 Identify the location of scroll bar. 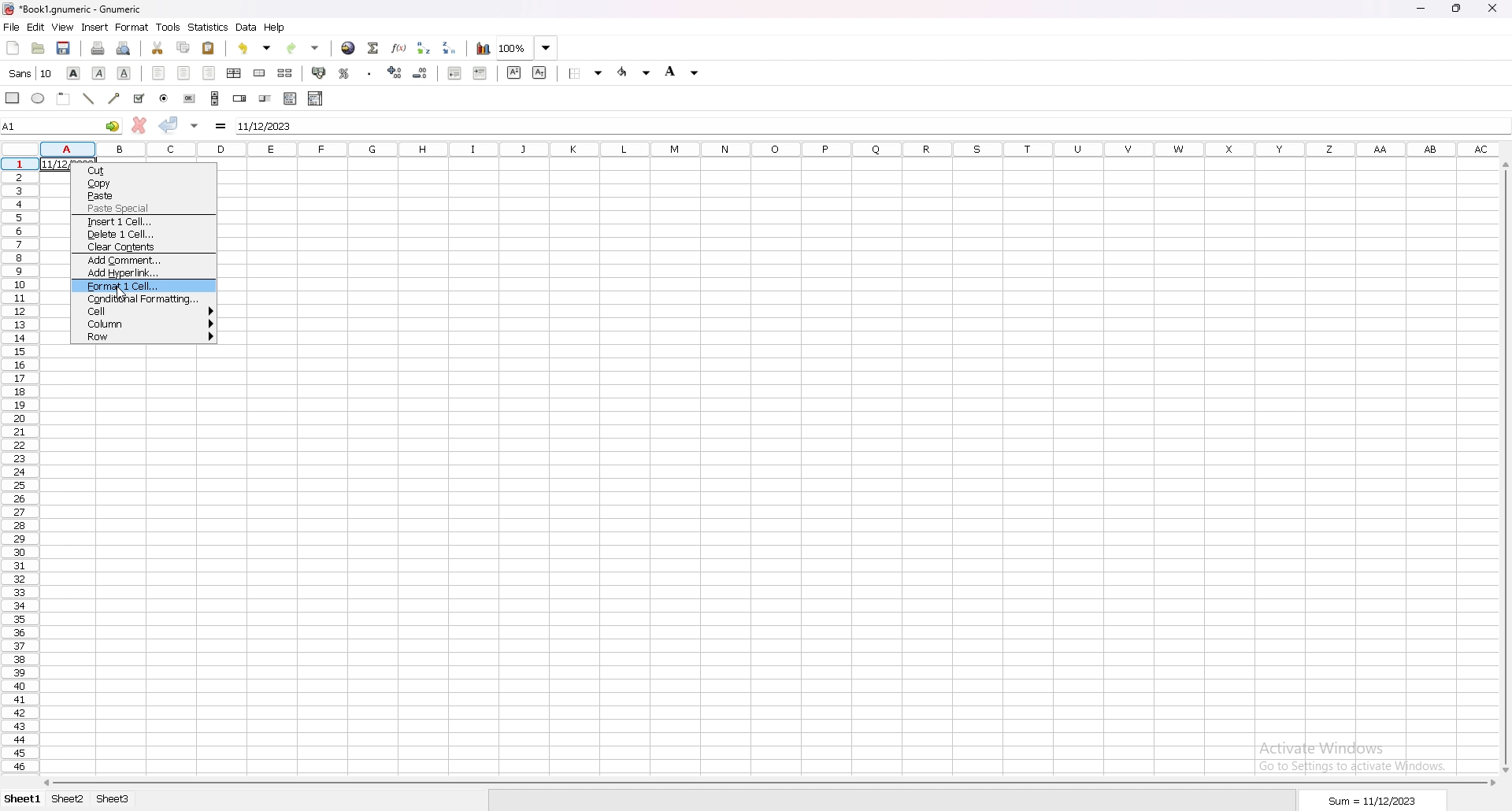
(771, 783).